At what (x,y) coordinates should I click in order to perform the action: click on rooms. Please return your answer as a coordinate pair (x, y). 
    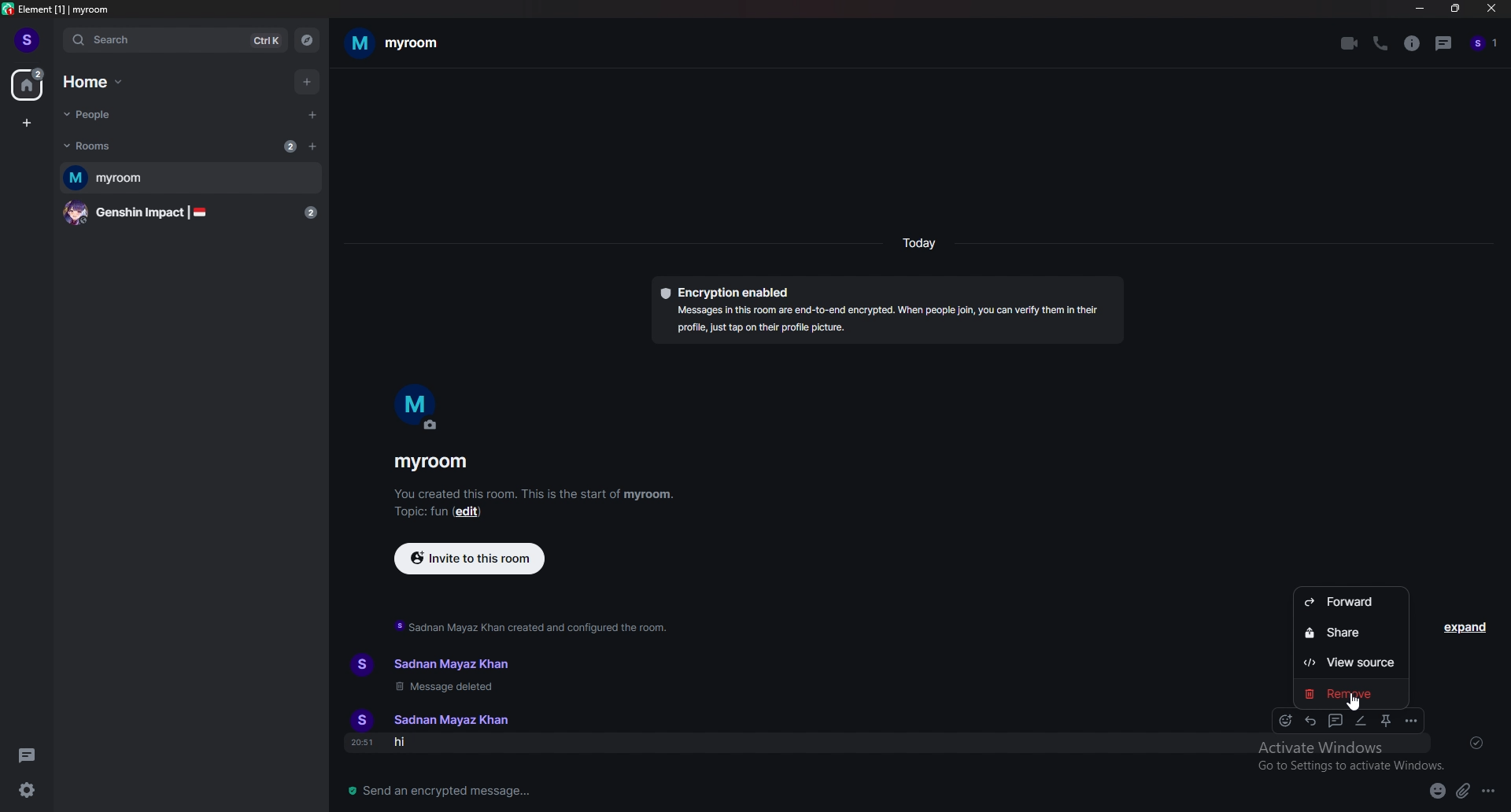
    Looking at the image, I should click on (97, 146).